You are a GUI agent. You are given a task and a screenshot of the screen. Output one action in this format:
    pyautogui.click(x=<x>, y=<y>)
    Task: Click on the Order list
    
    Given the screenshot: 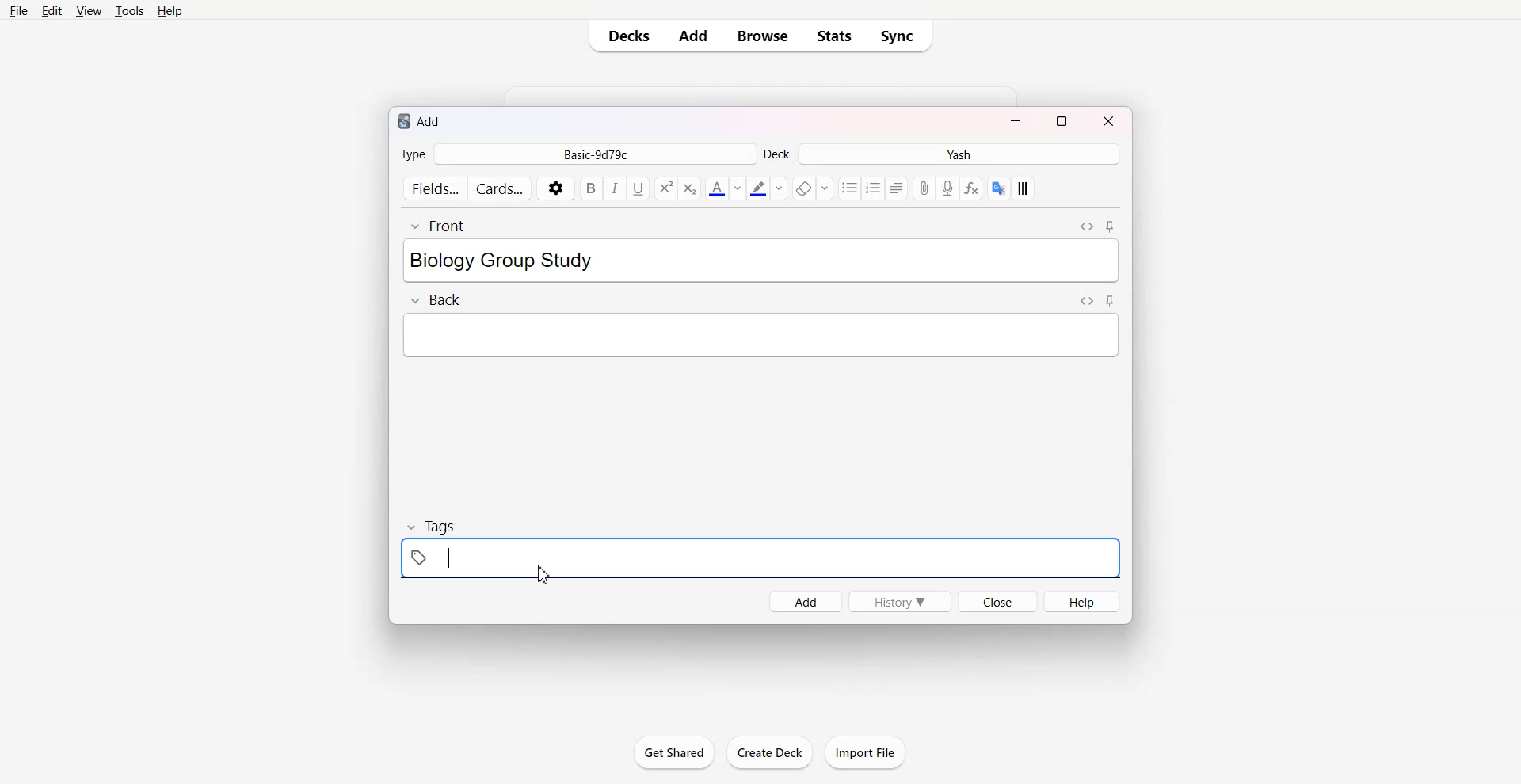 What is the action you would take?
    pyautogui.click(x=875, y=188)
    